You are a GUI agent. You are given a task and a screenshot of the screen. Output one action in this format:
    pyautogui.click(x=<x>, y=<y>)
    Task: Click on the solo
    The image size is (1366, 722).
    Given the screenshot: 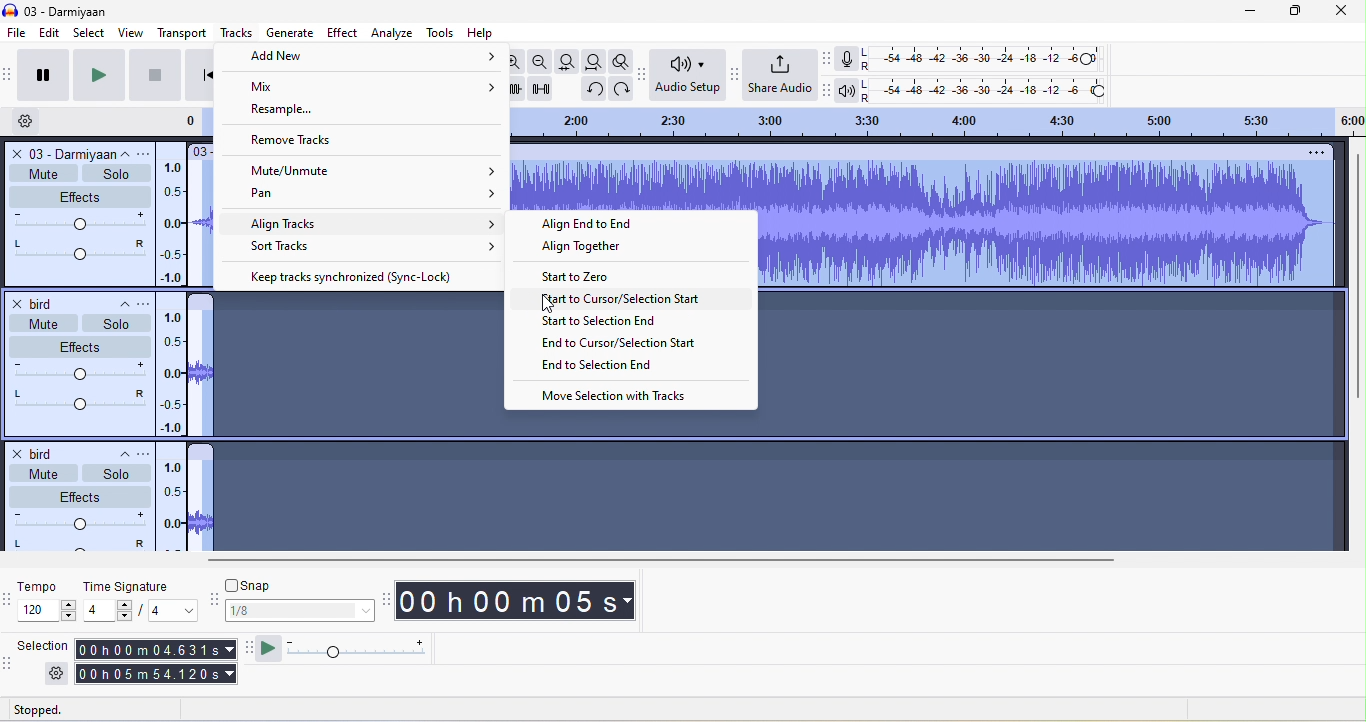 What is the action you would take?
    pyautogui.click(x=116, y=474)
    